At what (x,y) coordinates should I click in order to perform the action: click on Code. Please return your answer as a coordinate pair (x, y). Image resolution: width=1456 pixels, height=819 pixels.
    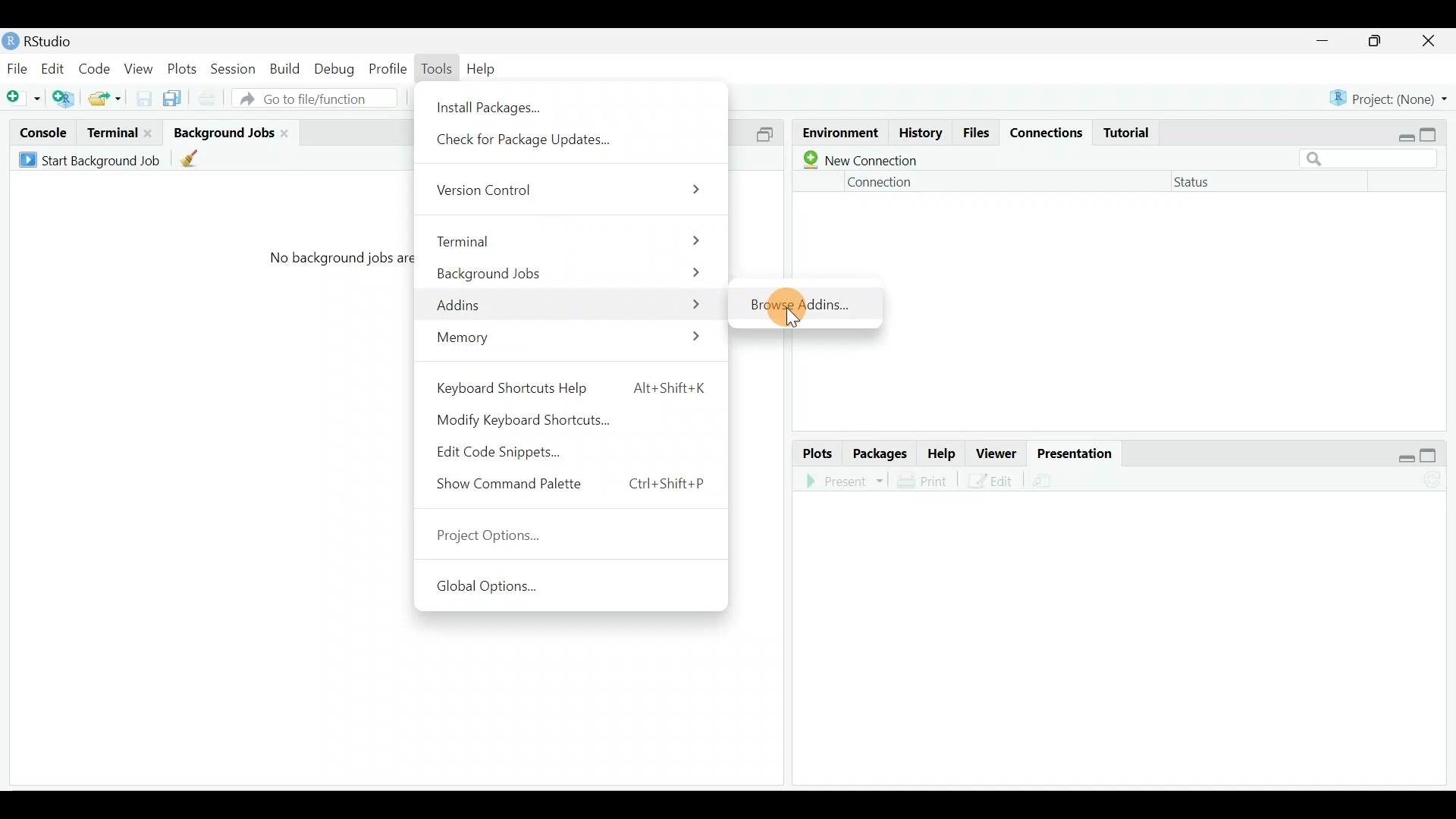
    Looking at the image, I should click on (96, 70).